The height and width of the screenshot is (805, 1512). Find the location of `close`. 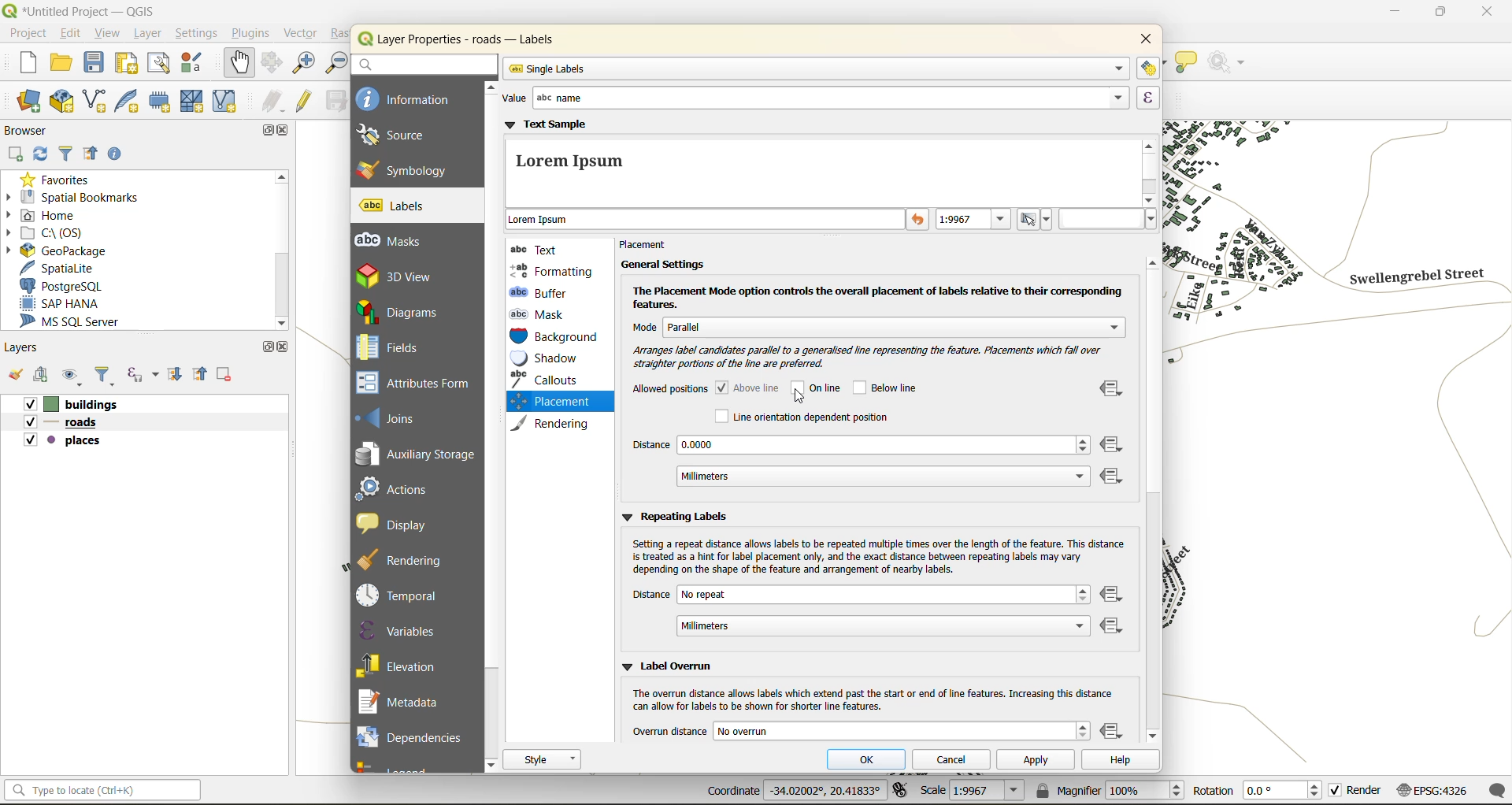

close is located at coordinates (1141, 40).